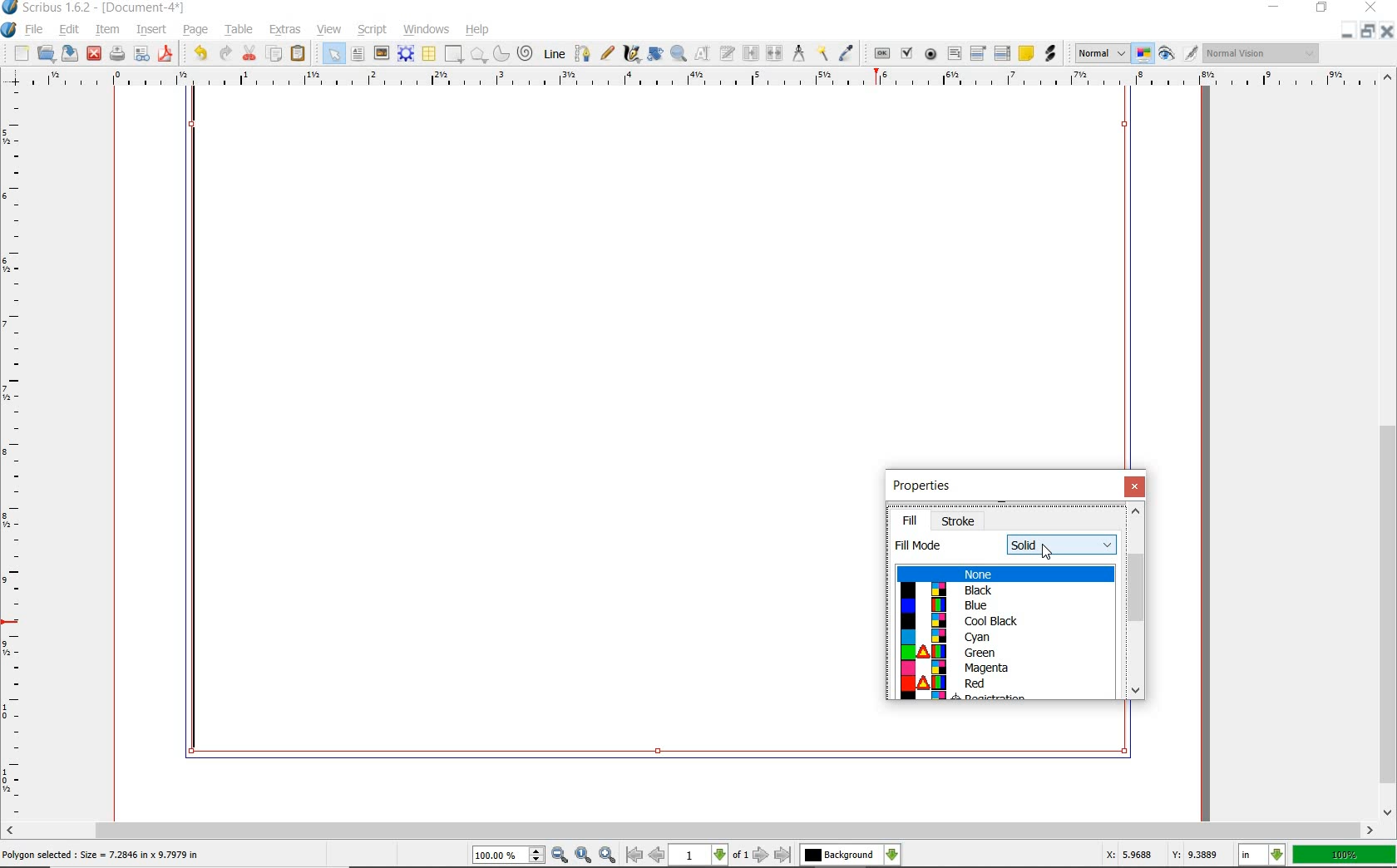 This screenshot has height=868, width=1397. What do you see at coordinates (631, 53) in the screenshot?
I see `calligraphic line` at bounding box center [631, 53].